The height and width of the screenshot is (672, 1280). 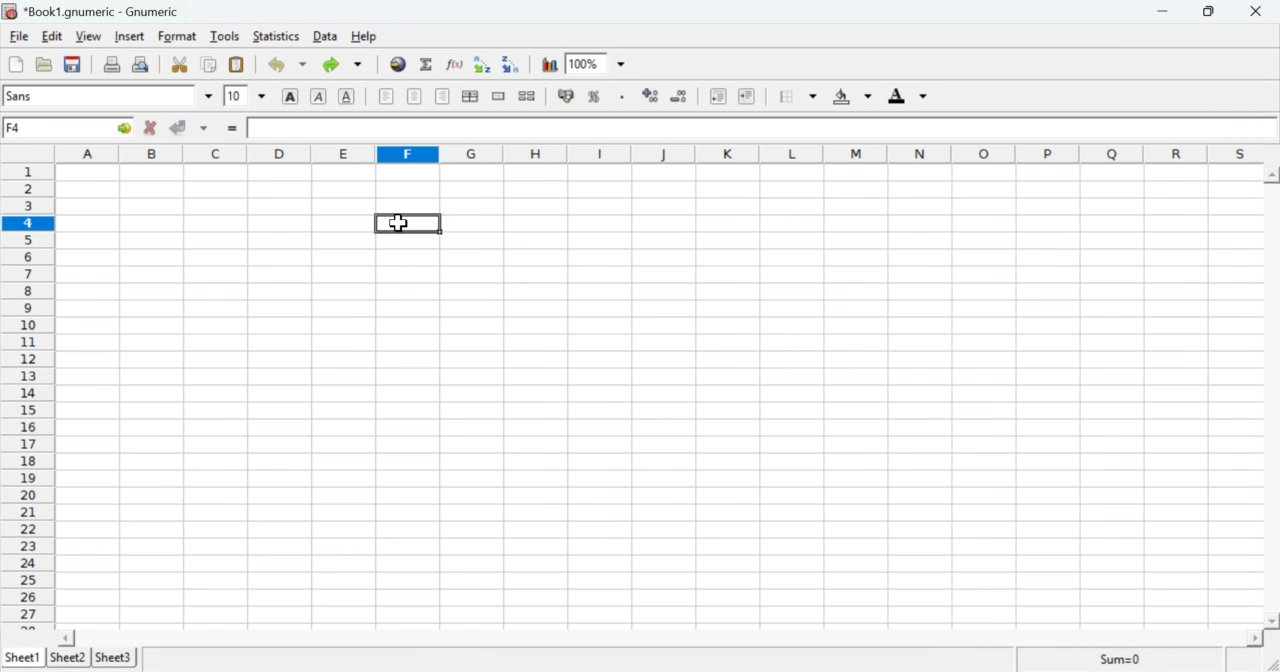 What do you see at coordinates (67, 655) in the screenshot?
I see `Sheet2` at bounding box center [67, 655].